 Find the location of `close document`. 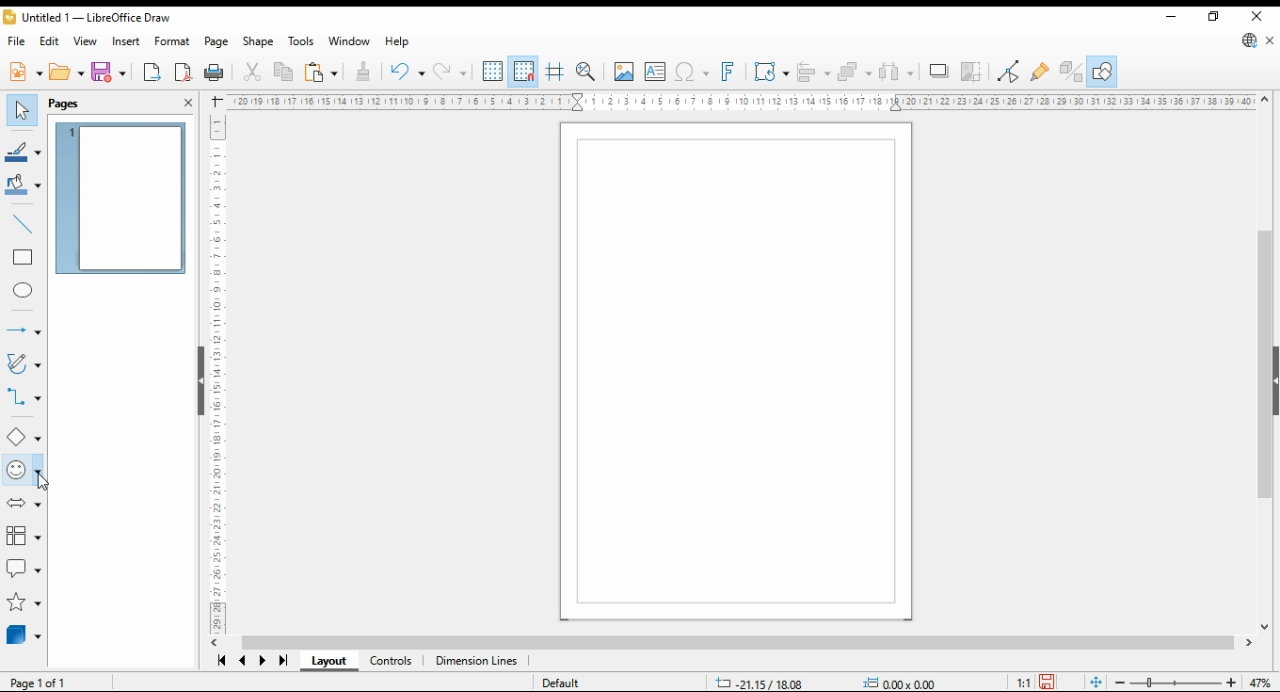

close document is located at coordinates (1270, 40).